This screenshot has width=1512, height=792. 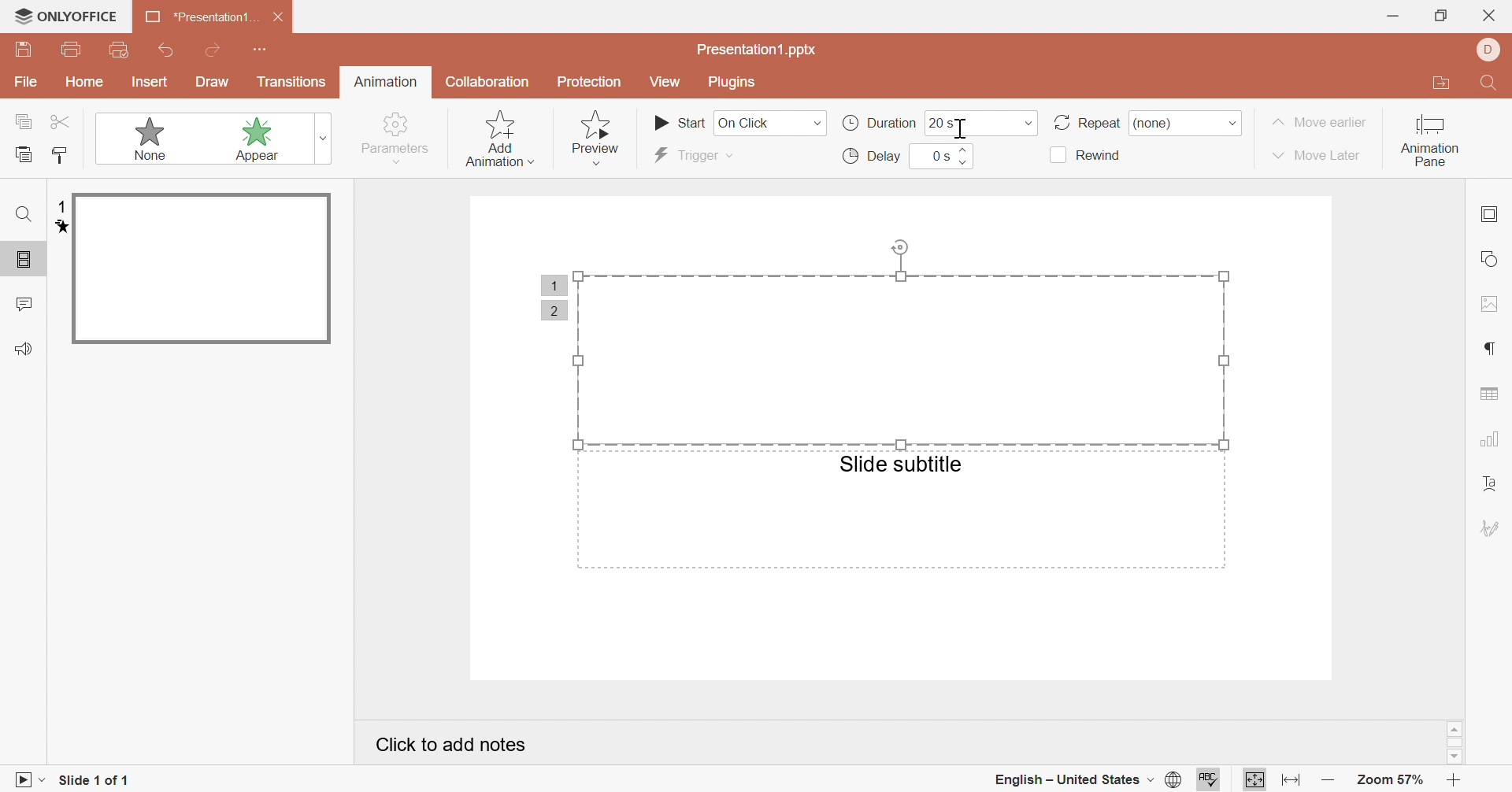 What do you see at coordinates (24, 783) in the screenshot?
I see `start slideshow` at bounding box center [24, 783].